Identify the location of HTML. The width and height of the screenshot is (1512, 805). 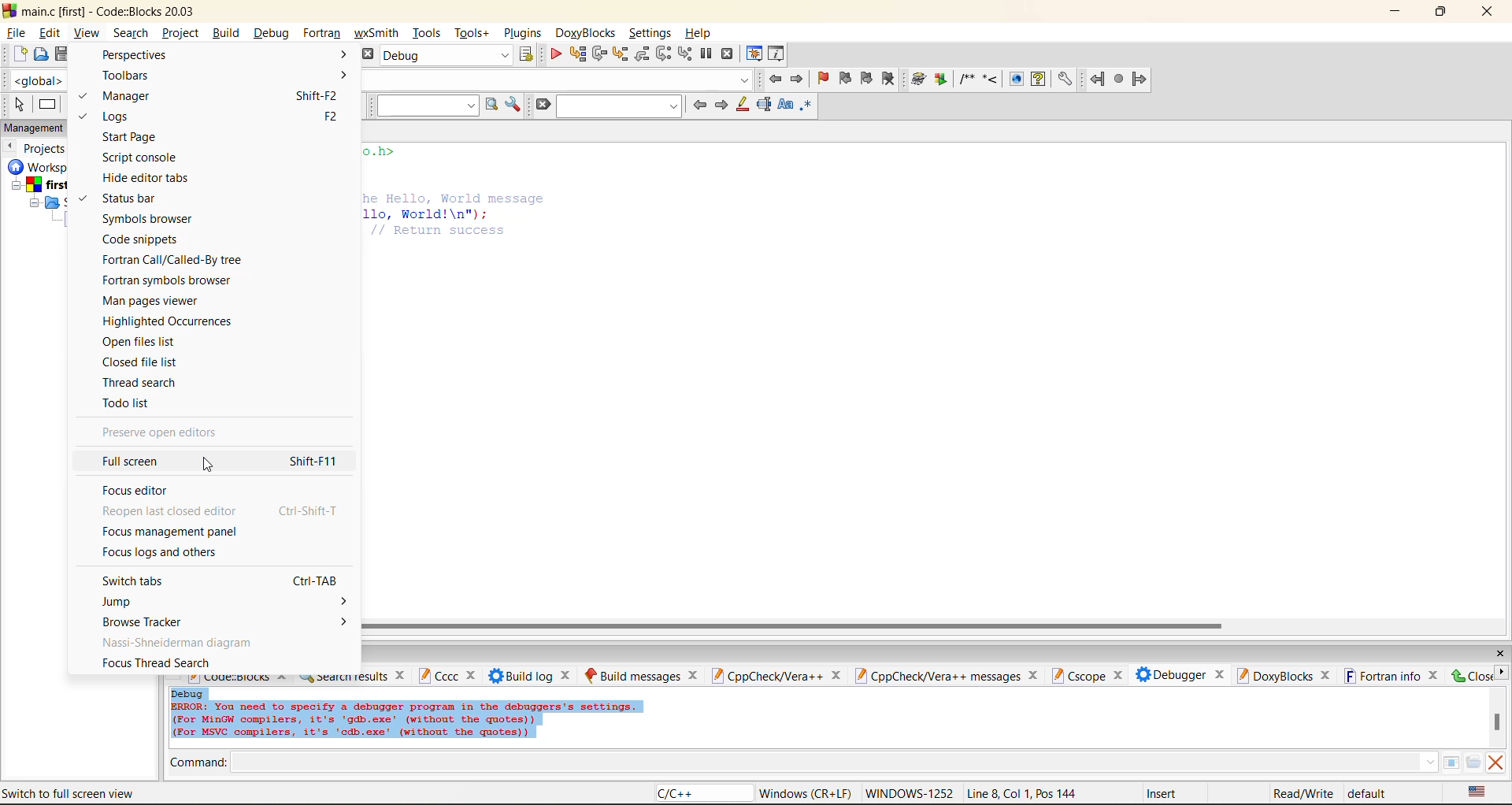
(1016, 79).